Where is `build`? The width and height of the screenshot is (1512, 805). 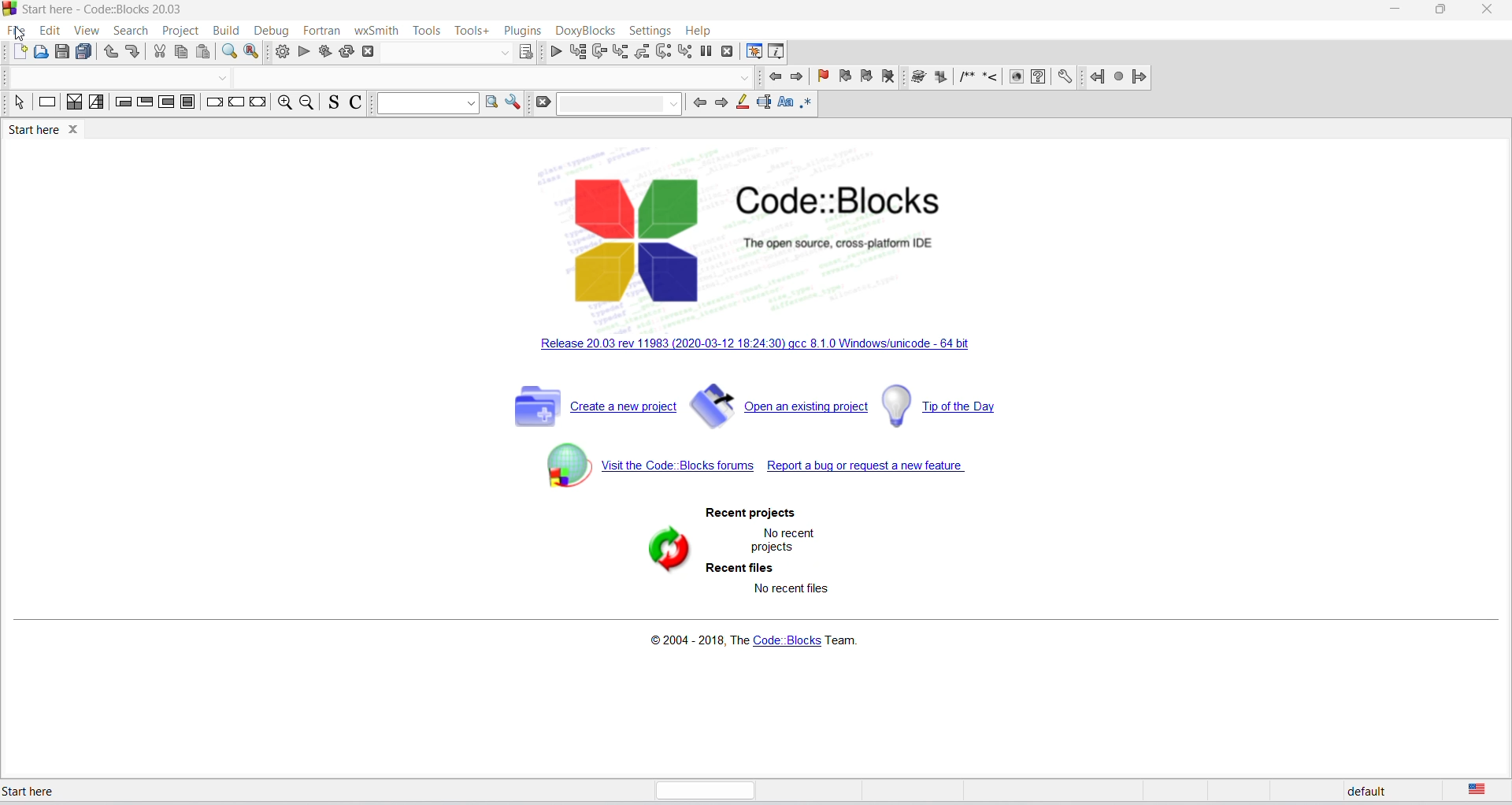 build is located at coordinates (278, 52).